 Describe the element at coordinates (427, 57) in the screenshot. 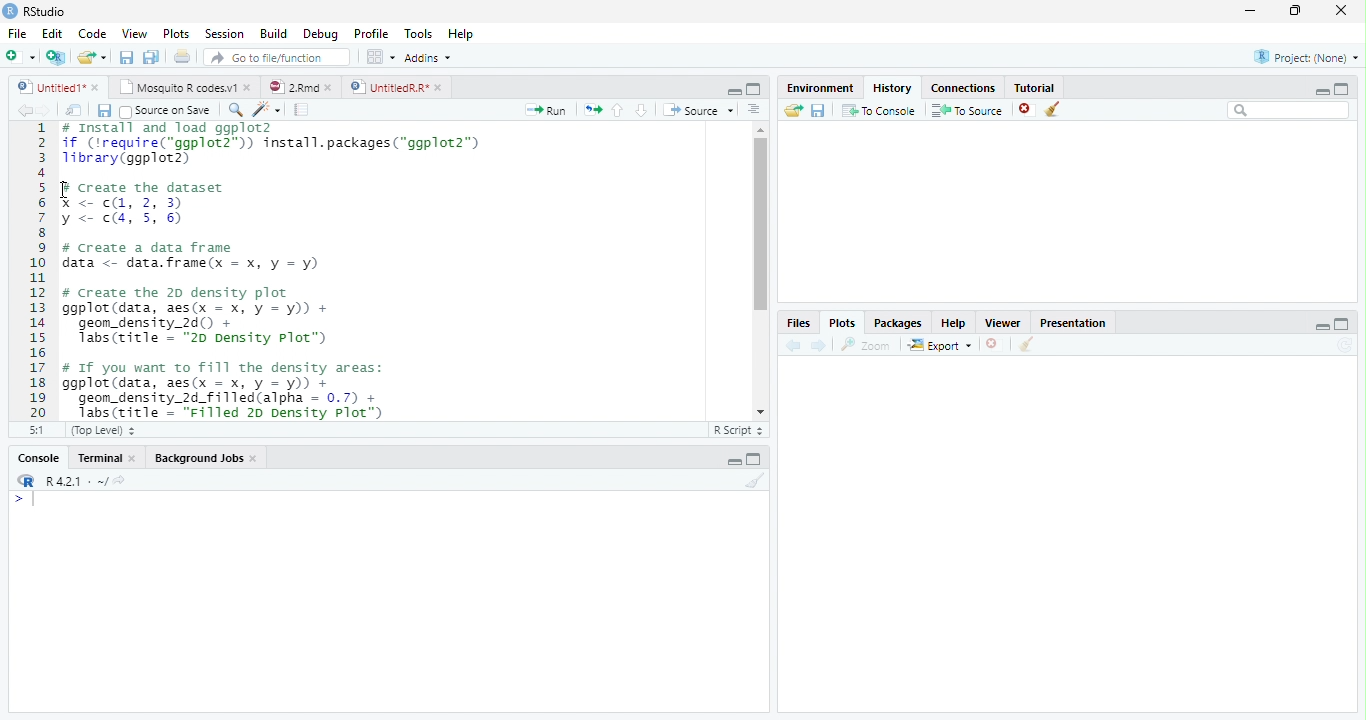

I see `Addins` at that location.